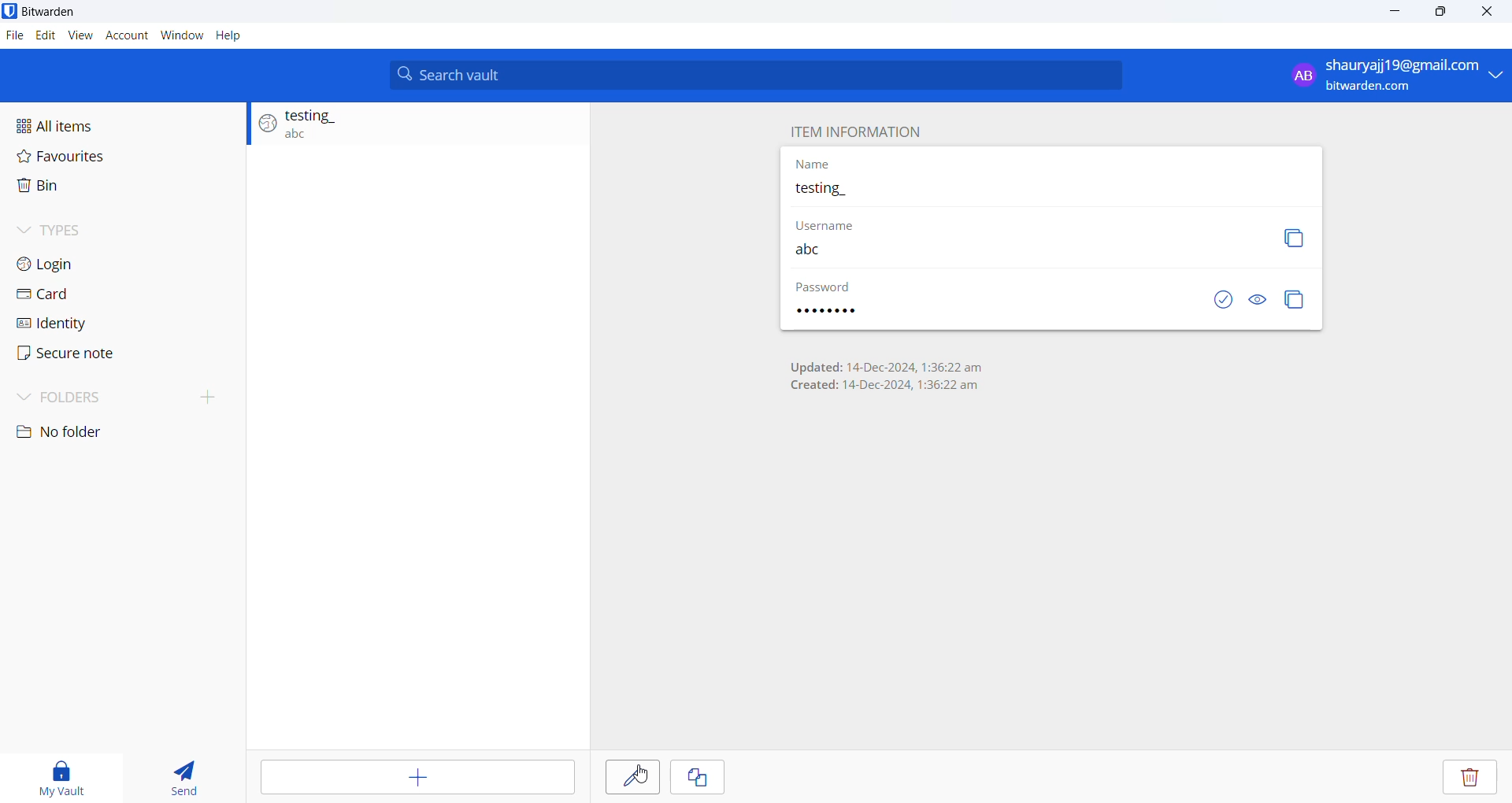  What do you see at coordinates (15, 37) in the screenshot?
I see `File` at bounding box center [15, 37].